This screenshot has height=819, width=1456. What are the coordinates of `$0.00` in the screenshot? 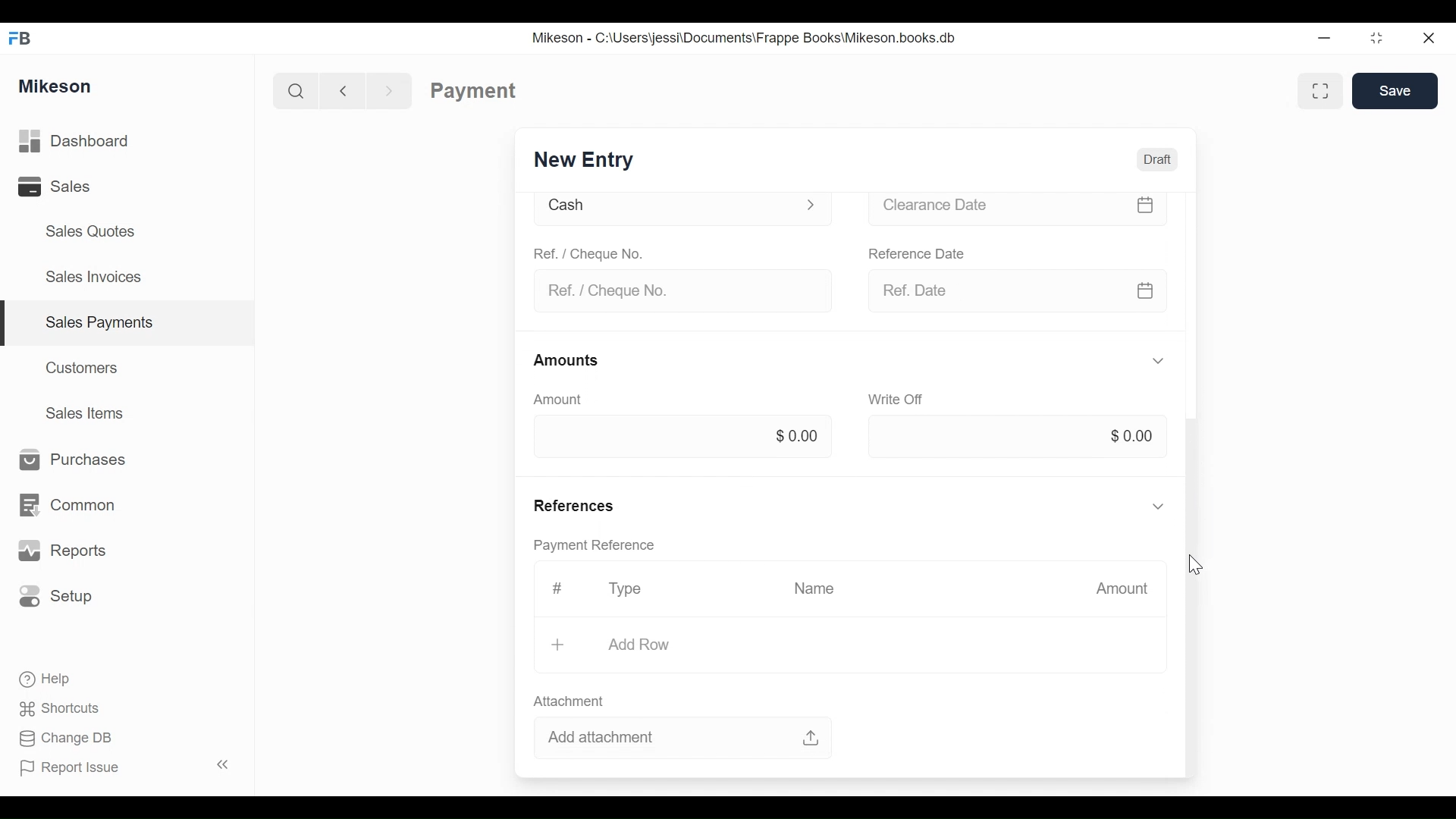 It's located at (1136, 435).